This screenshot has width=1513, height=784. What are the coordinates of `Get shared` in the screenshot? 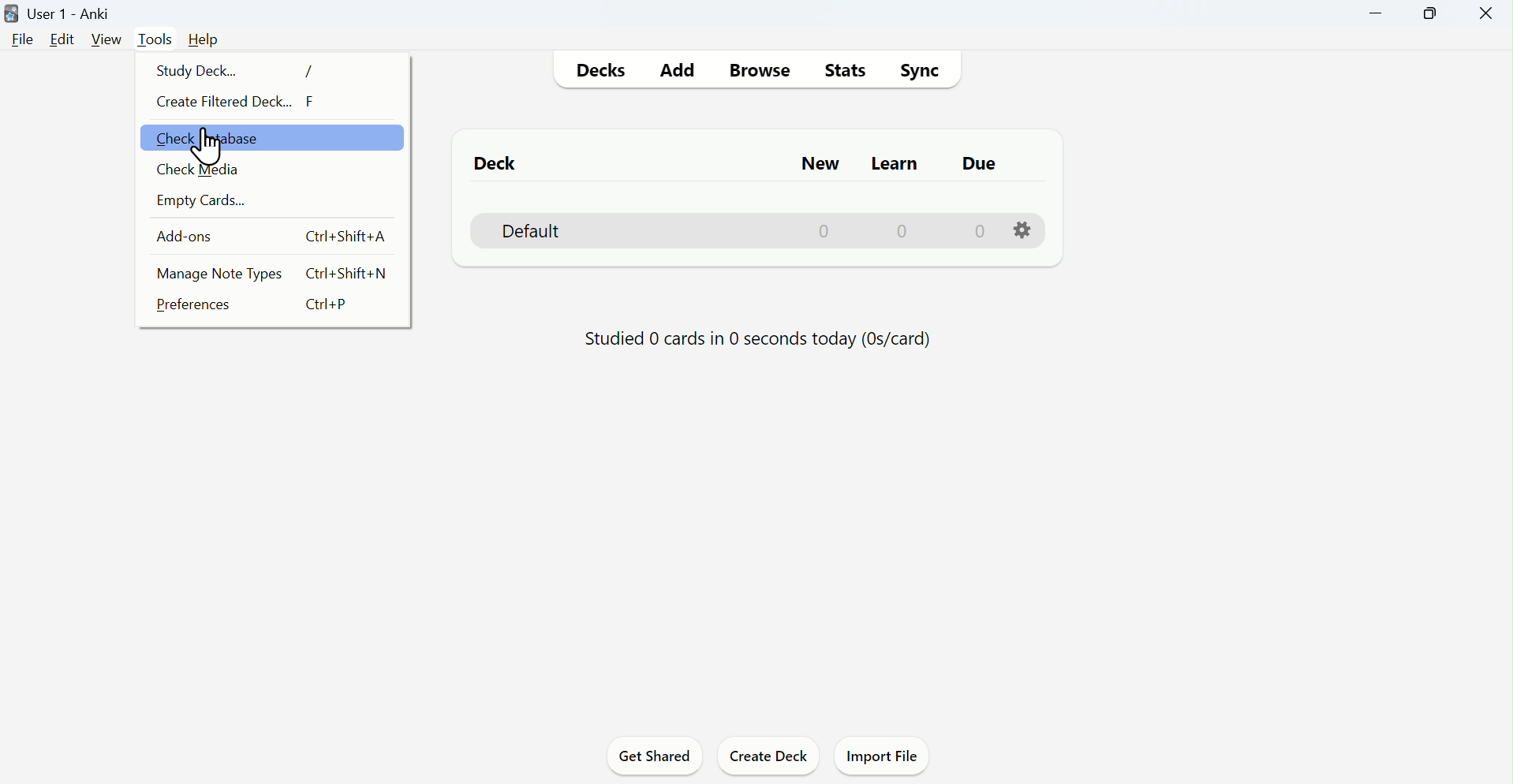 It's located at (652, 758).